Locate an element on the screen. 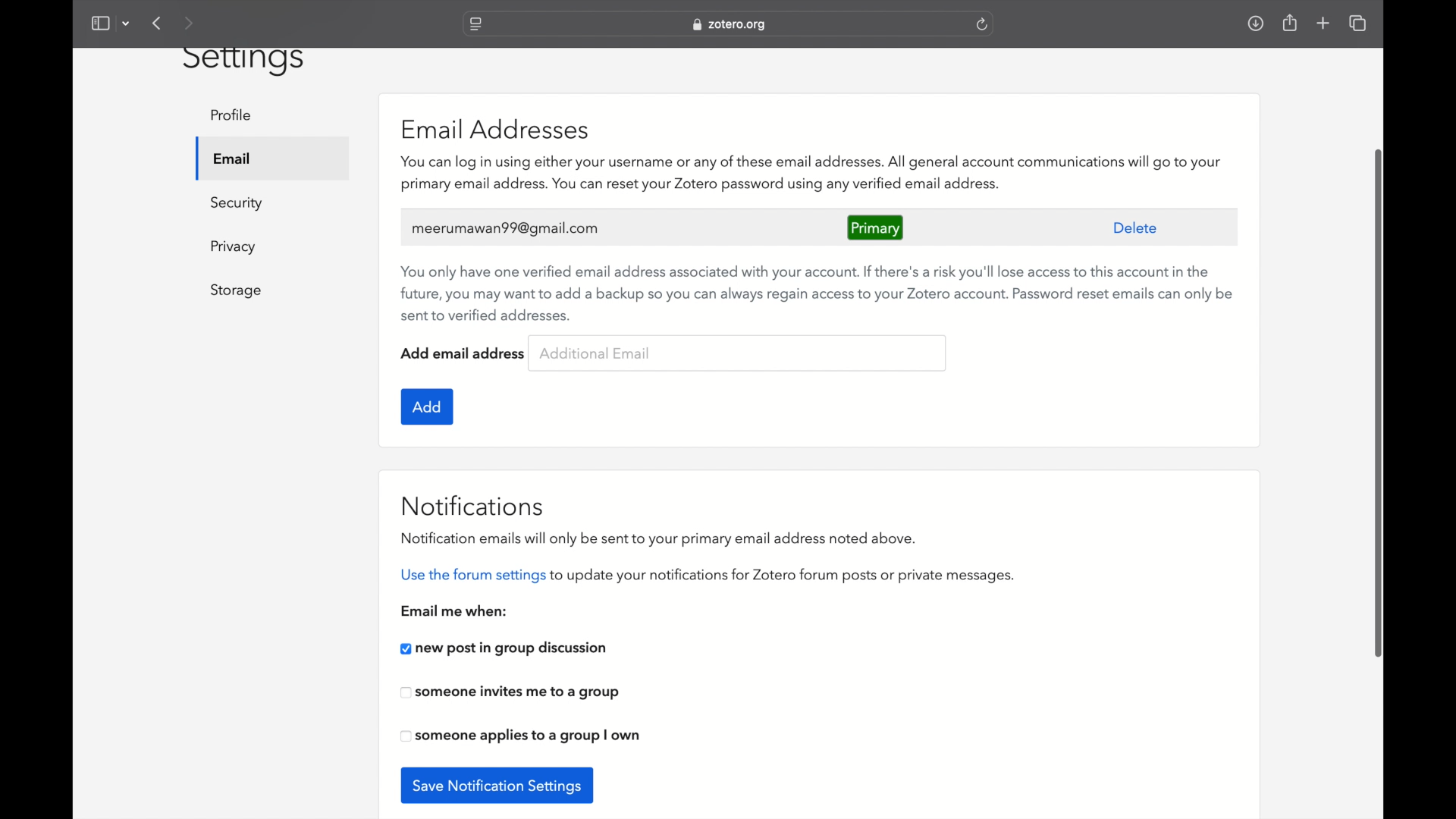 The image size is (1456, 819). add is located at coordinates (428, 406).